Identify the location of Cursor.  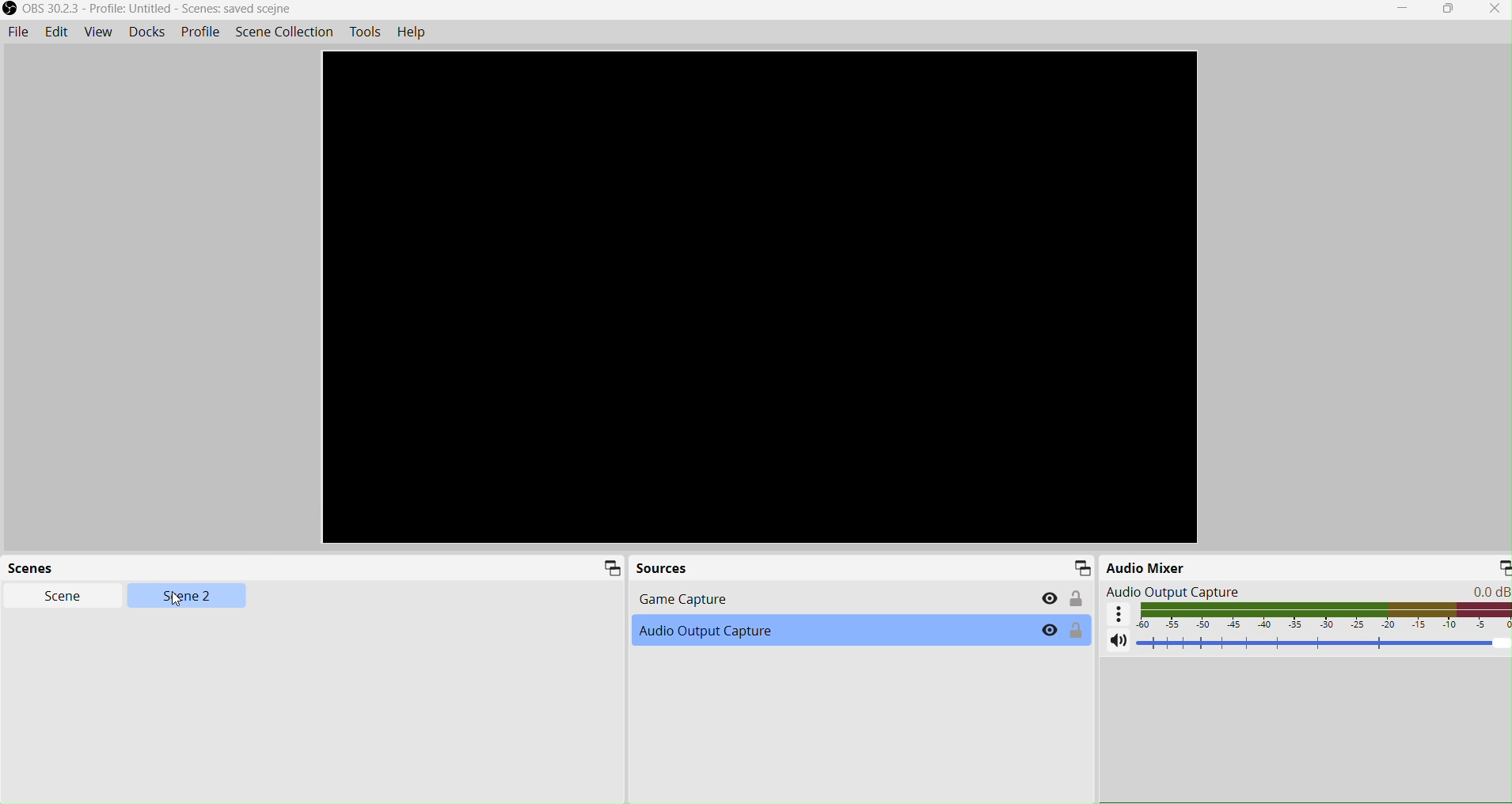
(179, 597).